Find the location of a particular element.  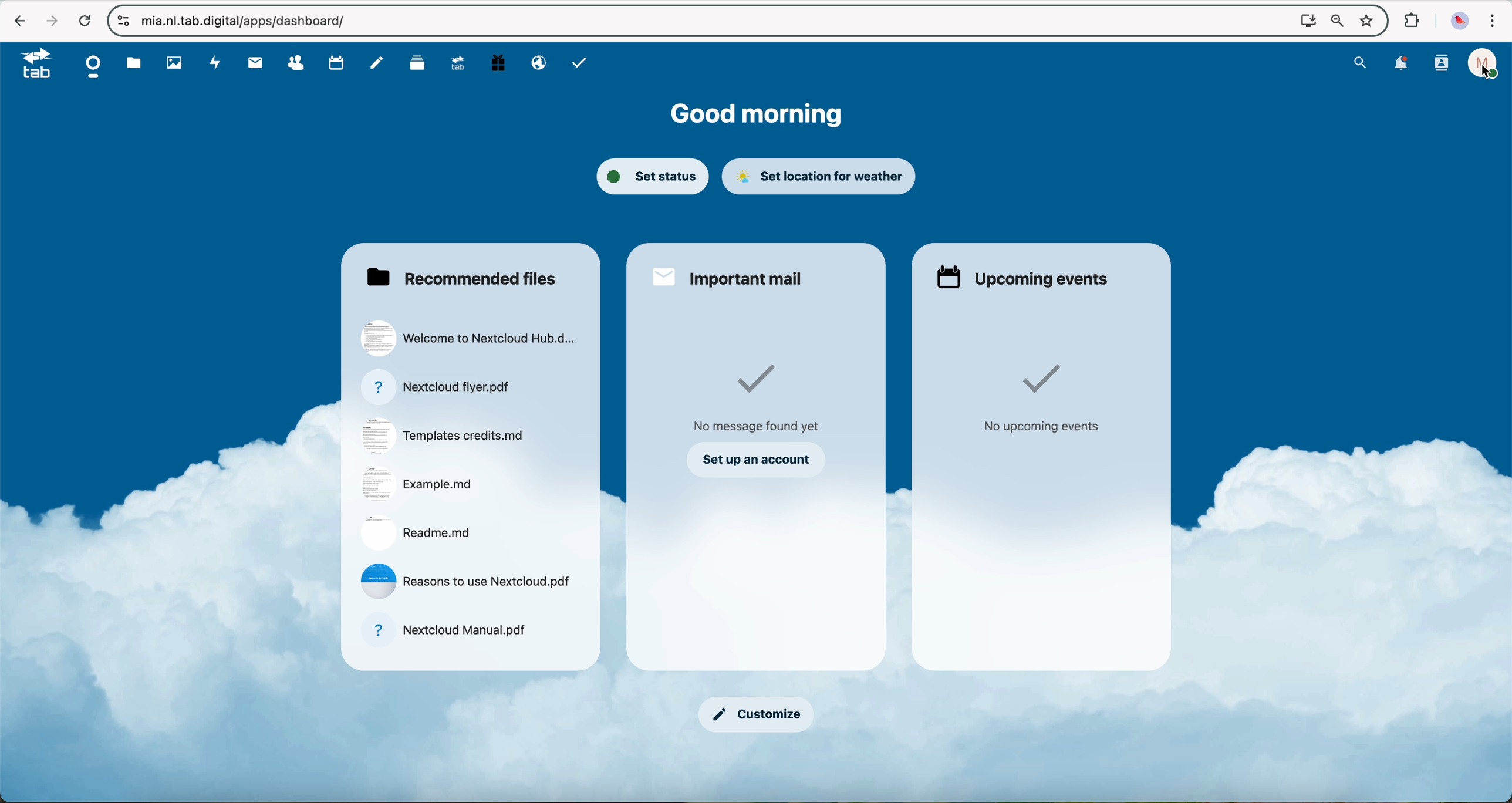

dashboard is located at coordinates (95, 67).